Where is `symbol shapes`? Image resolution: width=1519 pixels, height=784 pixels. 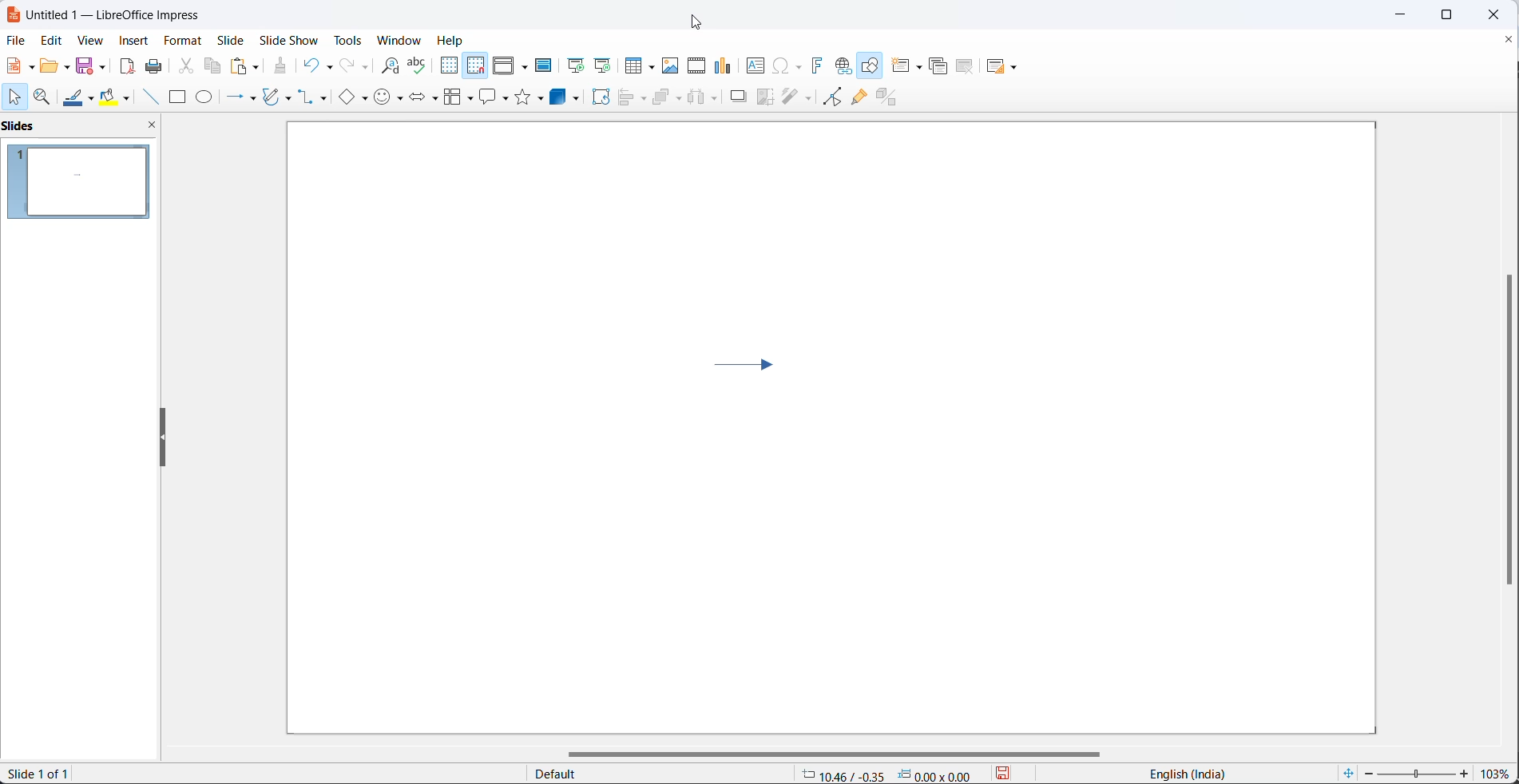 symbol shapes is located at coordinates (389, 100).